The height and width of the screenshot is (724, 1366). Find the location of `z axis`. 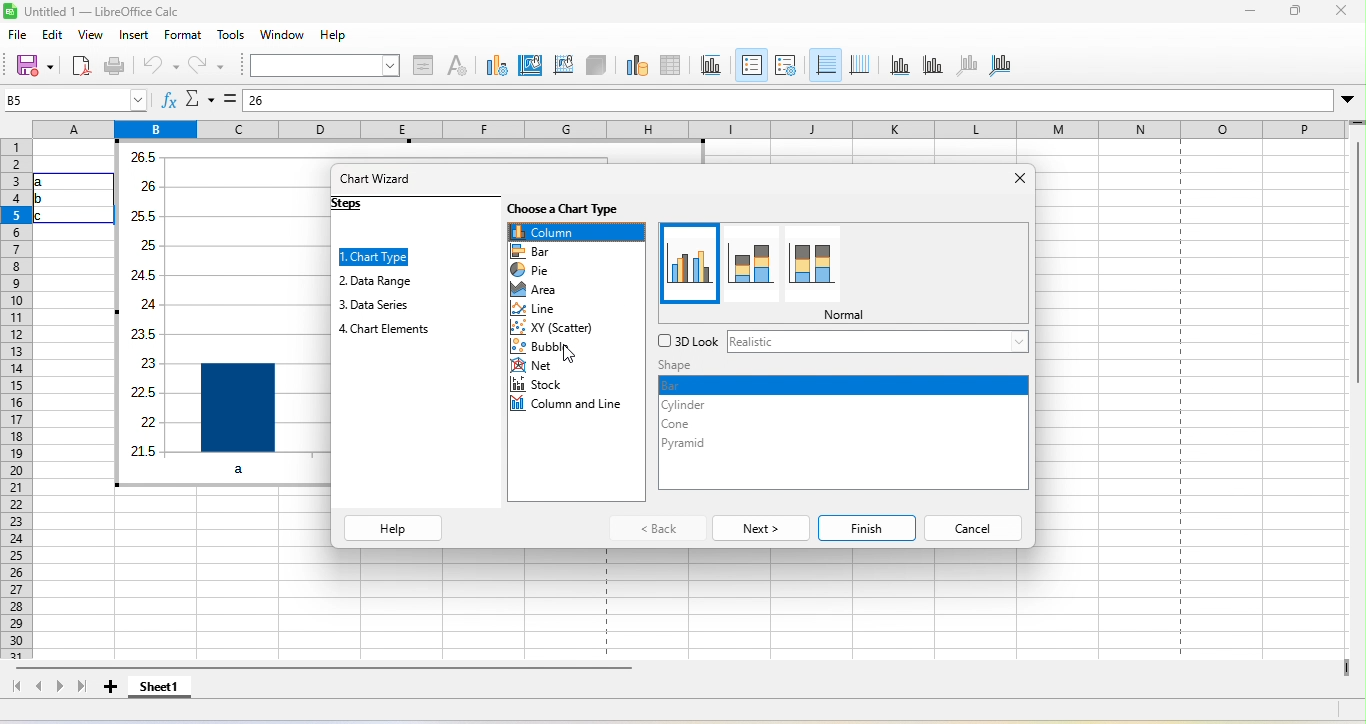

z axis is located at coordinates (964, 65).